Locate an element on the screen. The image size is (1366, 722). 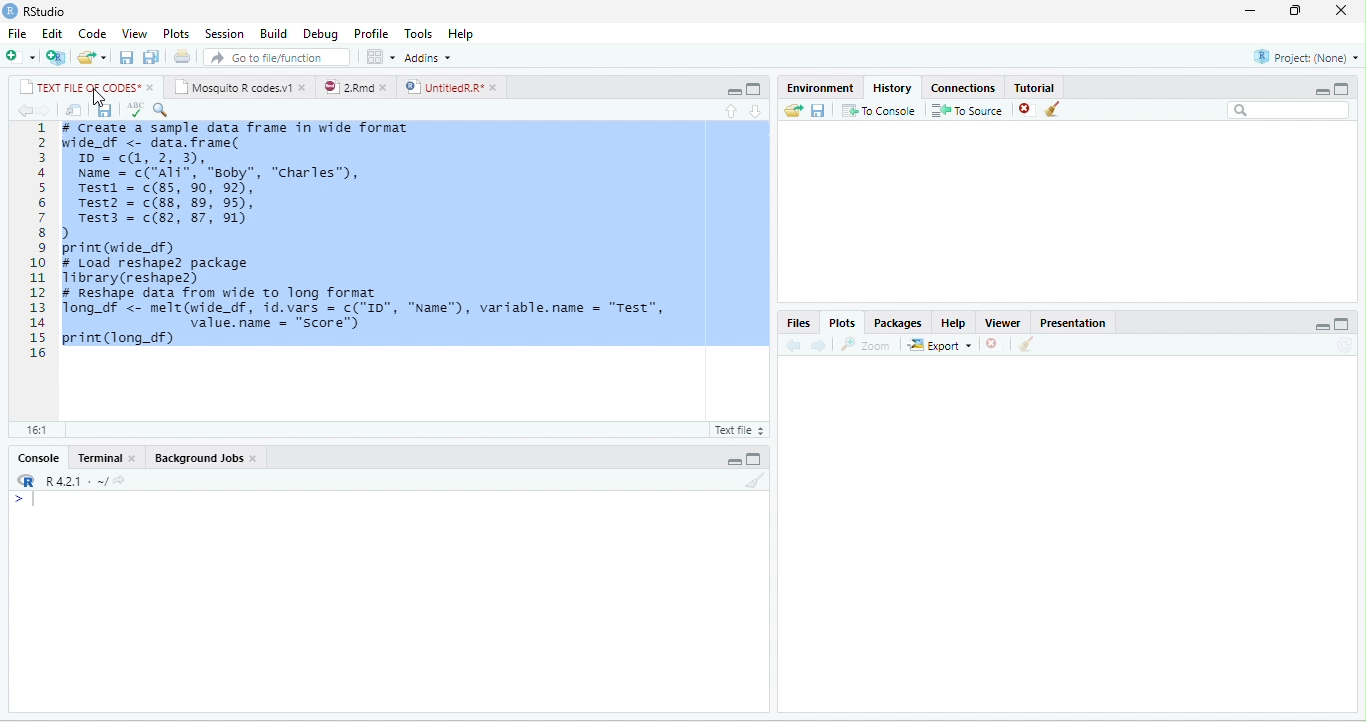
Zoom is located at coordinates (866, 345).